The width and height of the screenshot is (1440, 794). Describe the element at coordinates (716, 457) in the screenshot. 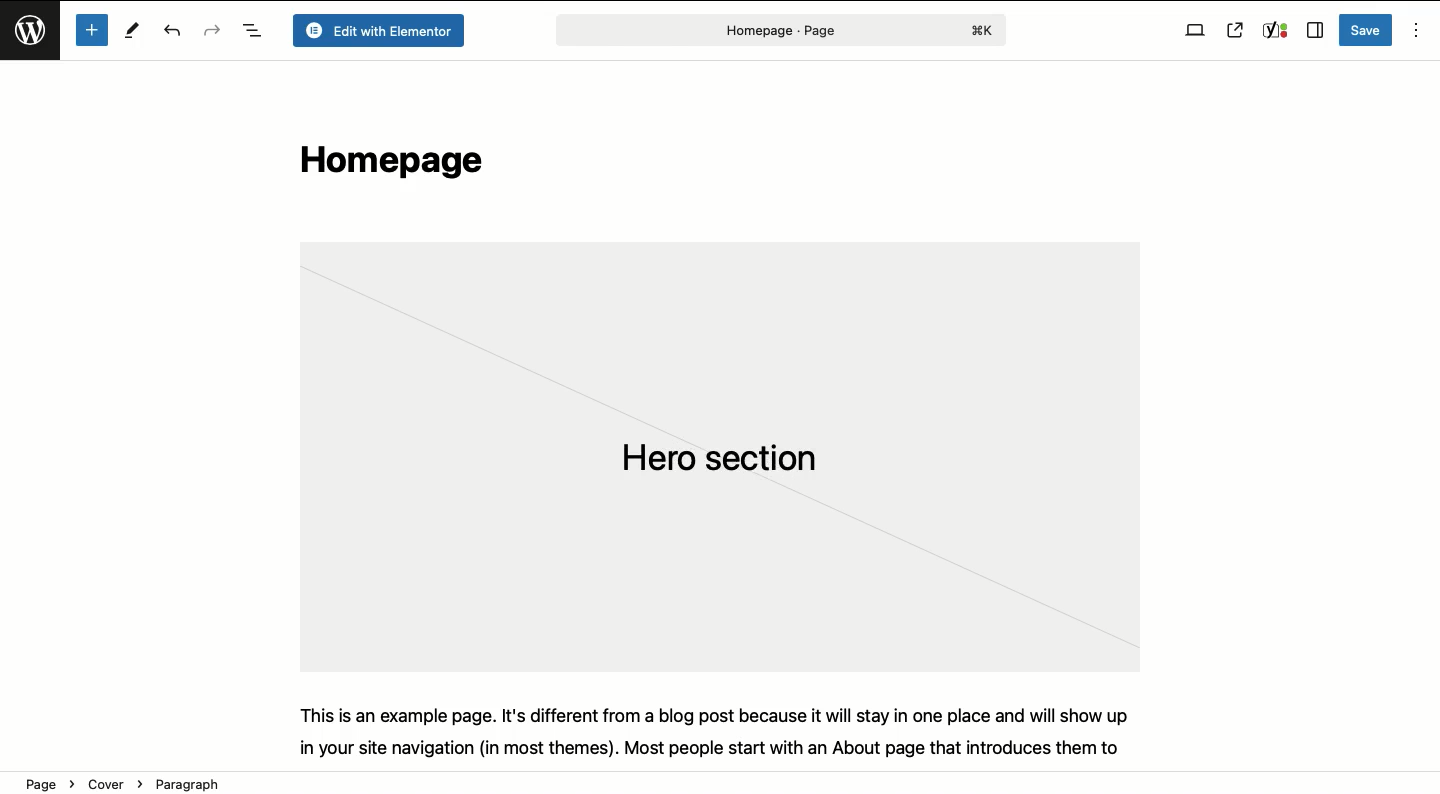

I see `Hero section added` at that location.